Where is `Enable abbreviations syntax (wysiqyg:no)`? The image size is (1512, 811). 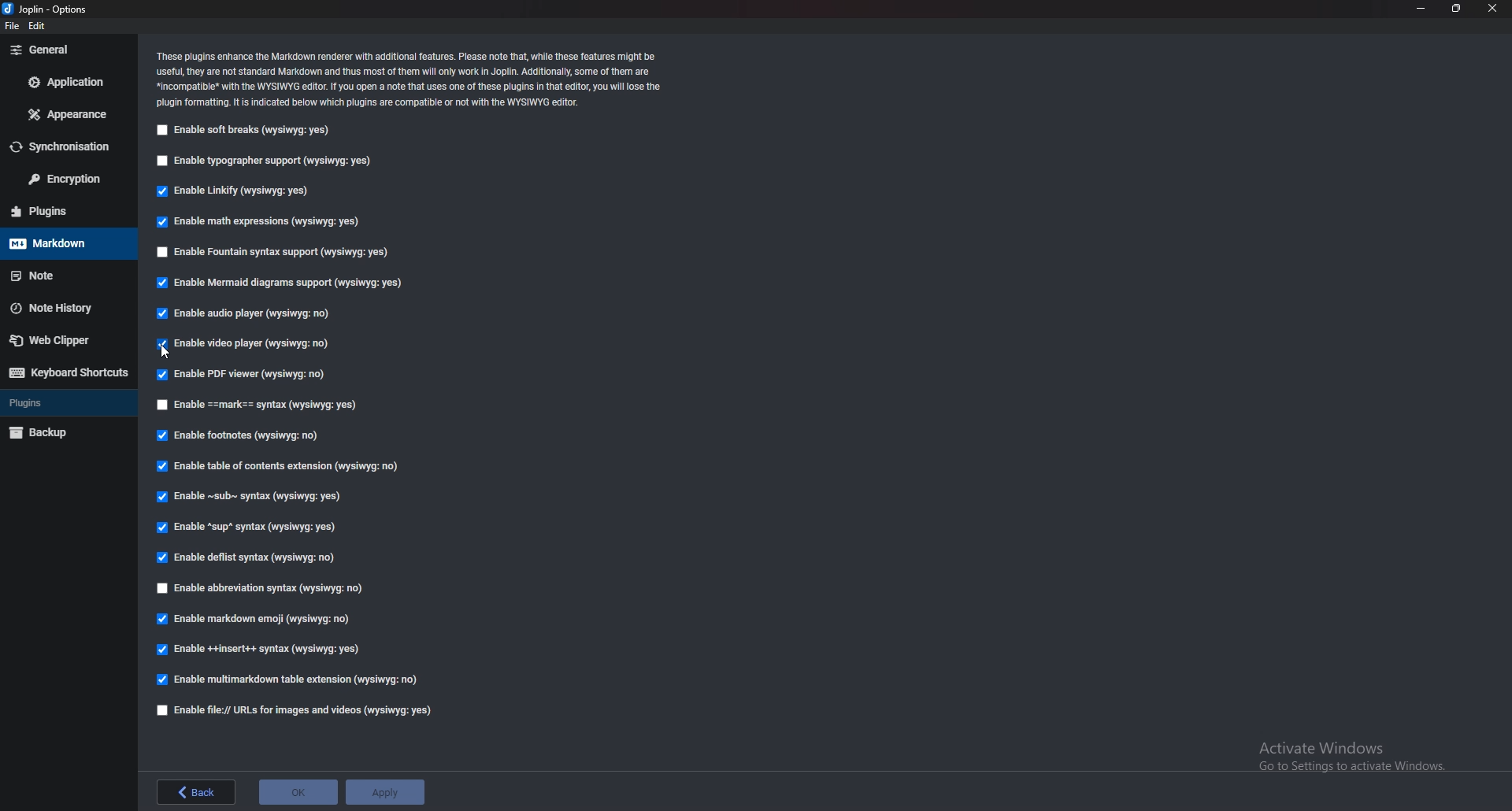 Enable abbreviations syntax (wysiqyg:no) is located at coordinates (277, 591).